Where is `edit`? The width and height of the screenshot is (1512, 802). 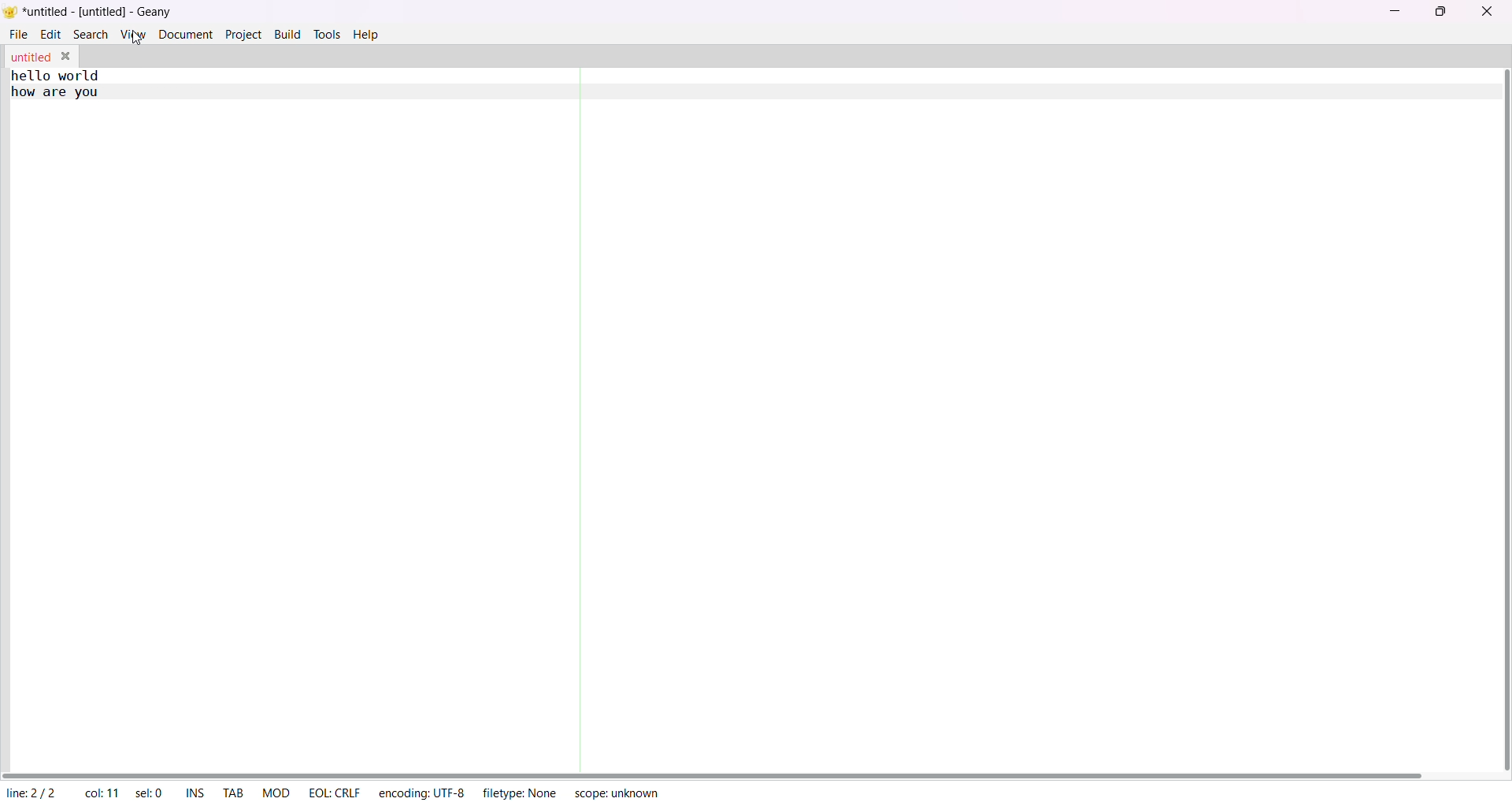 edit is located at coordinates (49, 33).